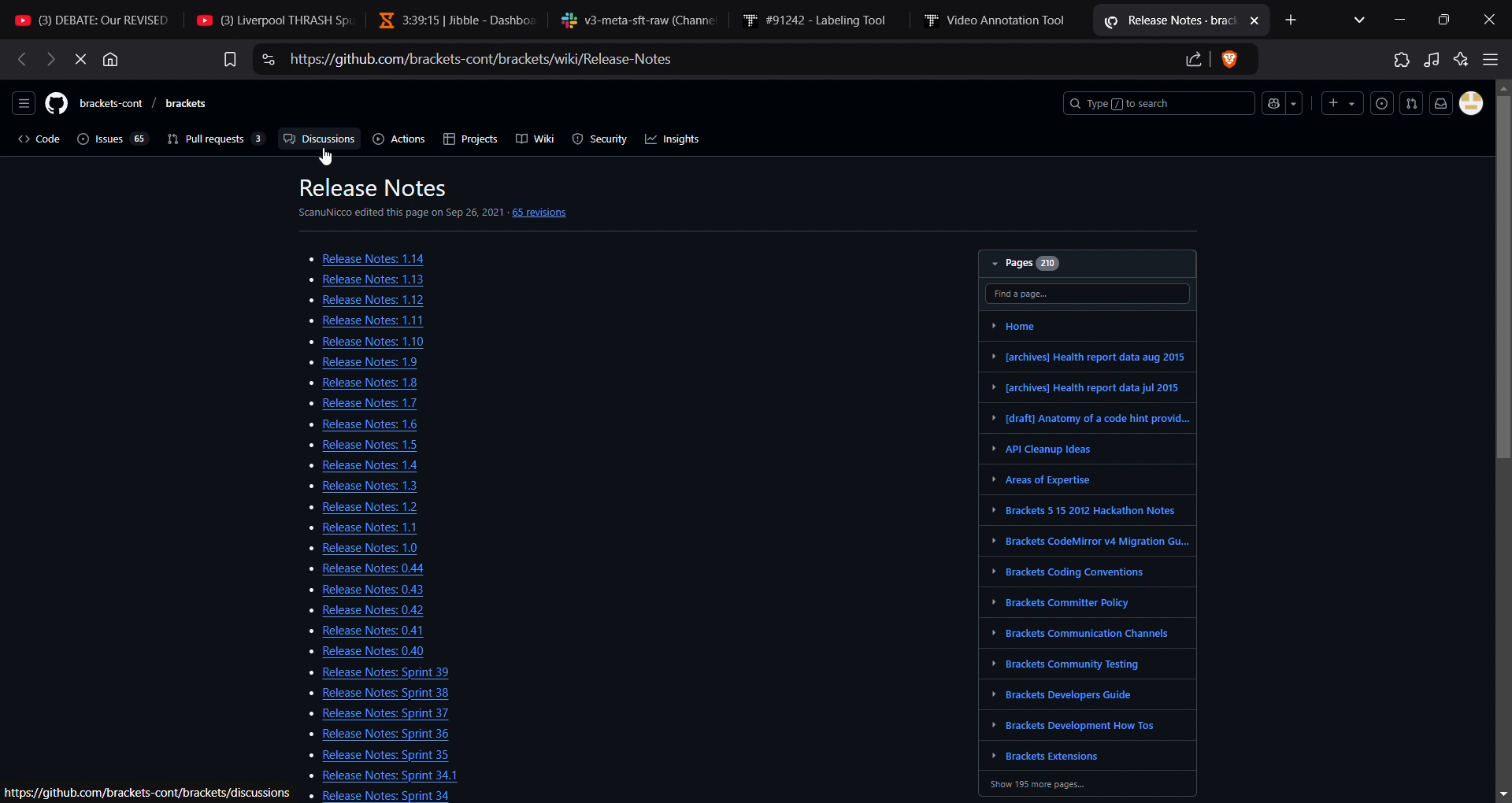  I want to click on o Release Notes: 1.8, so click(351, 382).